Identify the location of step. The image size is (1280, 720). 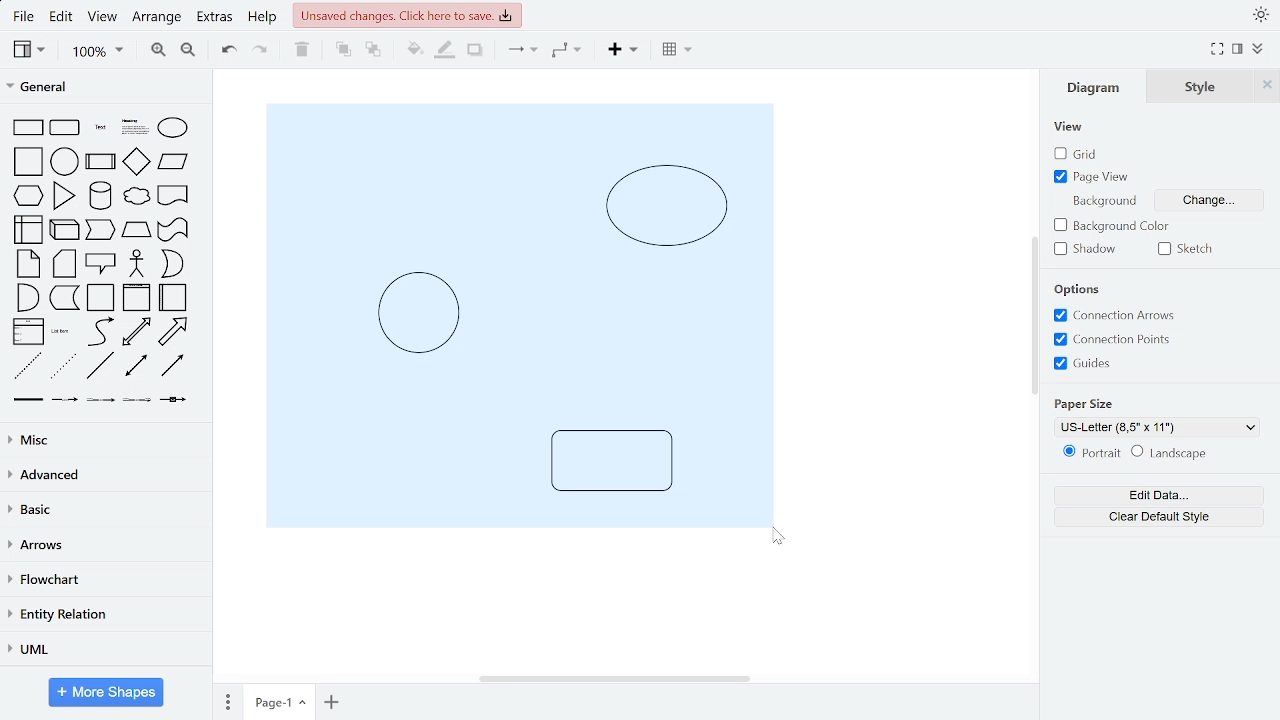
(64, 299).